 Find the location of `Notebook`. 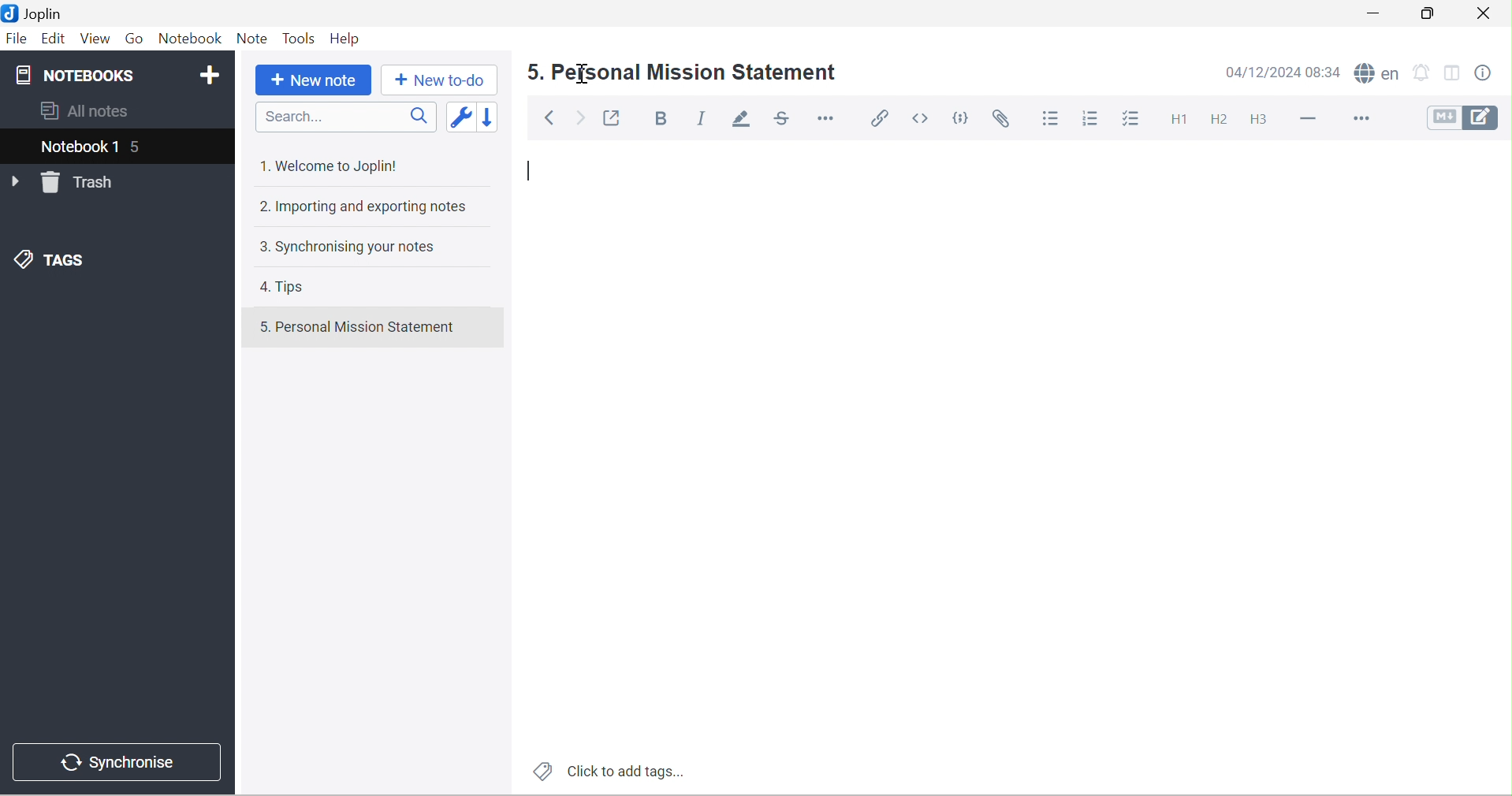

Notebook is located at coordinates (191, 38).